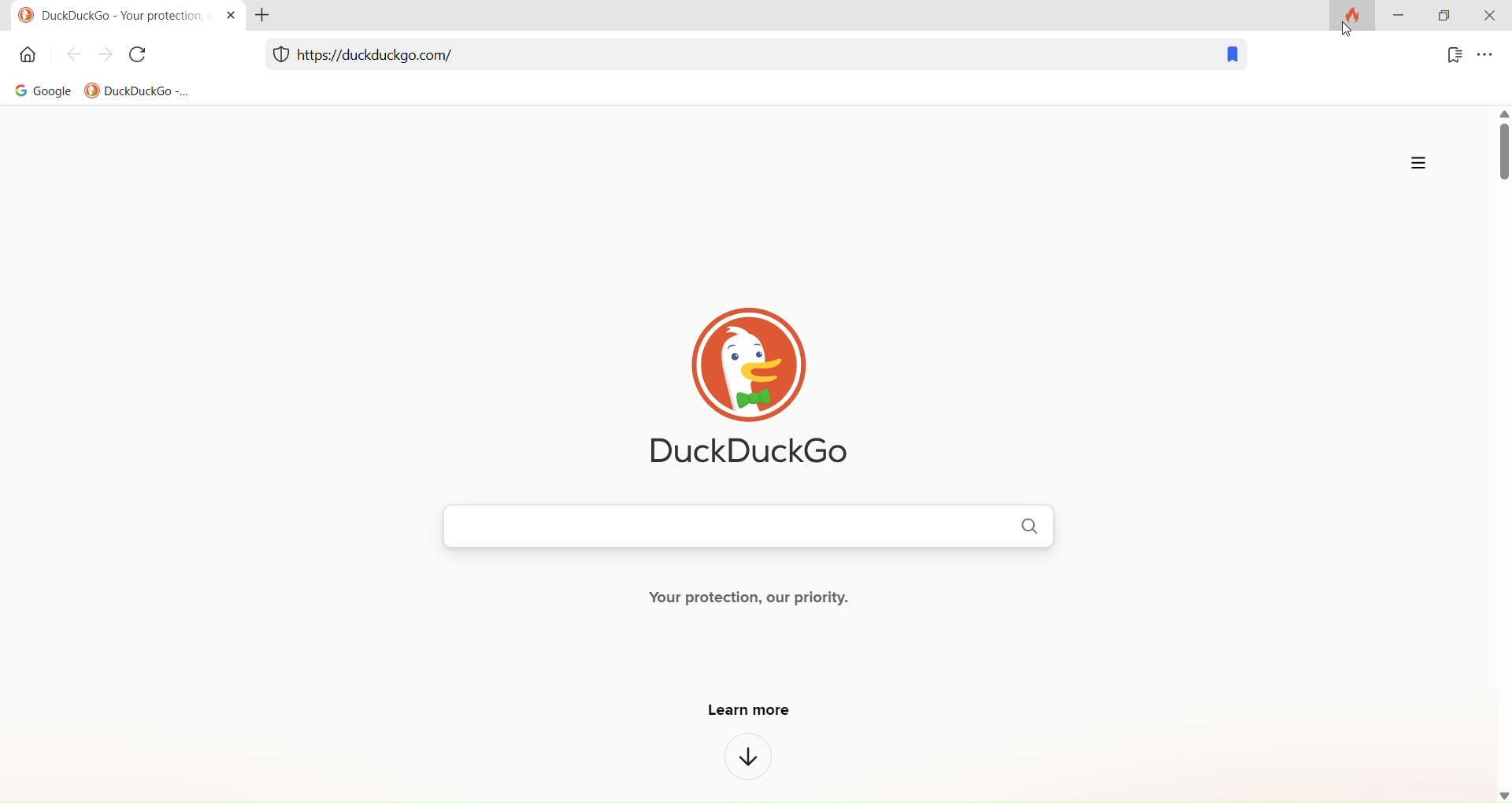 The image size is (1512, 803). I want to click on Google, so click(37, 94).